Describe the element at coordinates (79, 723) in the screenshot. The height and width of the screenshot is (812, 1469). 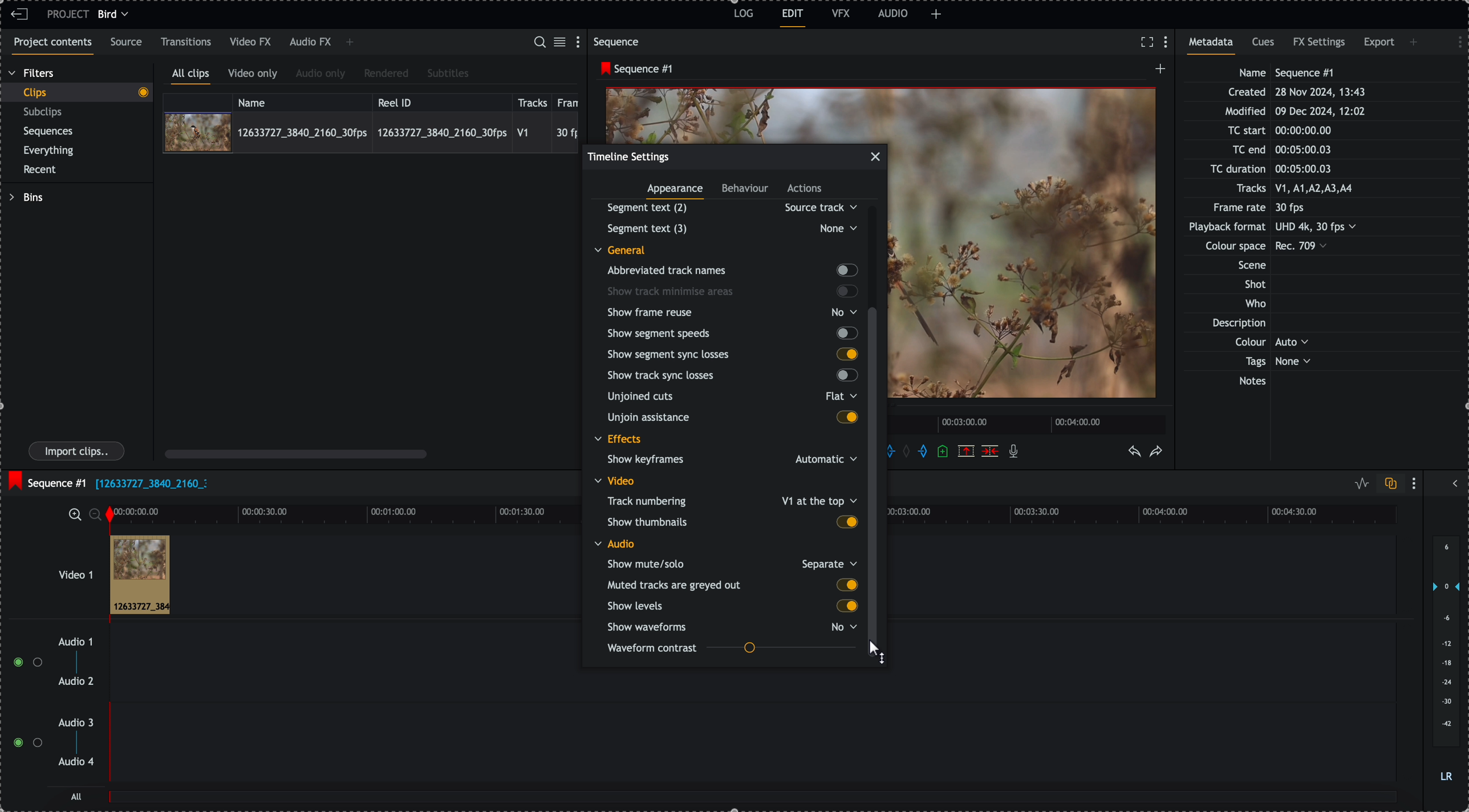
I see `audio 3` at that location.